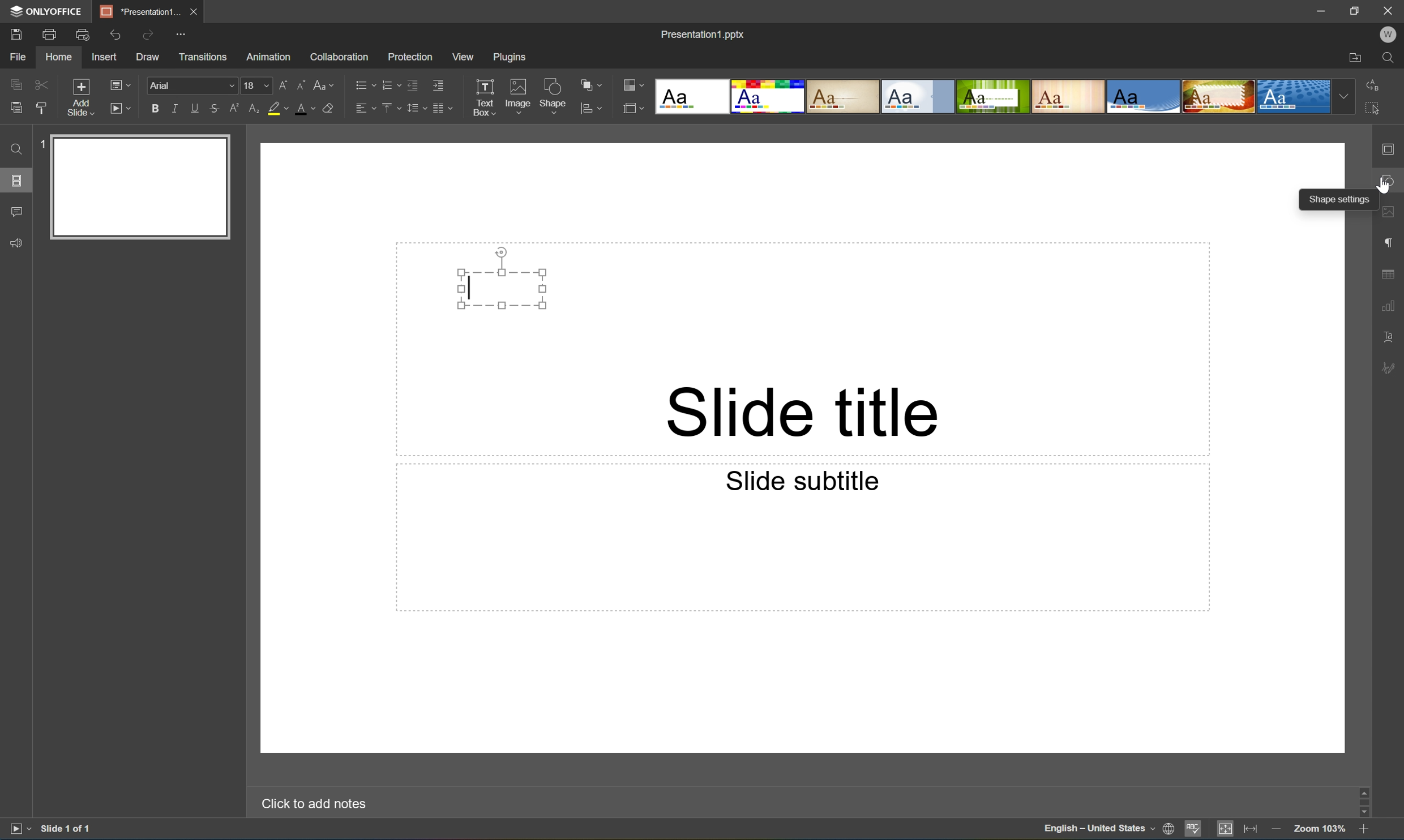 Image resolution: width=1404 pixels, height=840 pixels. I want to click on Home, so click(58, 58).